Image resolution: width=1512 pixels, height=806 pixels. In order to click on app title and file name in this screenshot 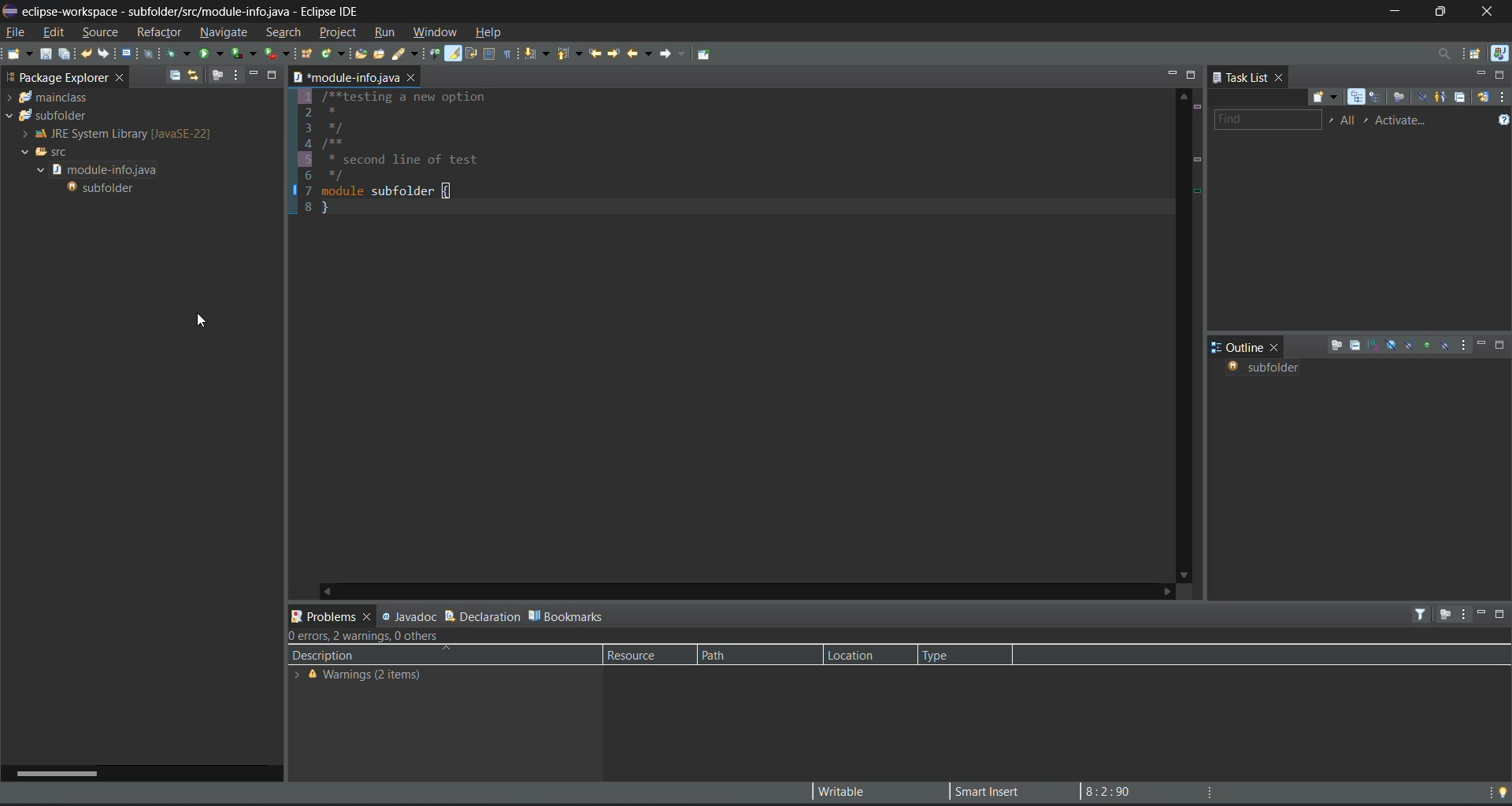, I will do `click(9, 9)`.